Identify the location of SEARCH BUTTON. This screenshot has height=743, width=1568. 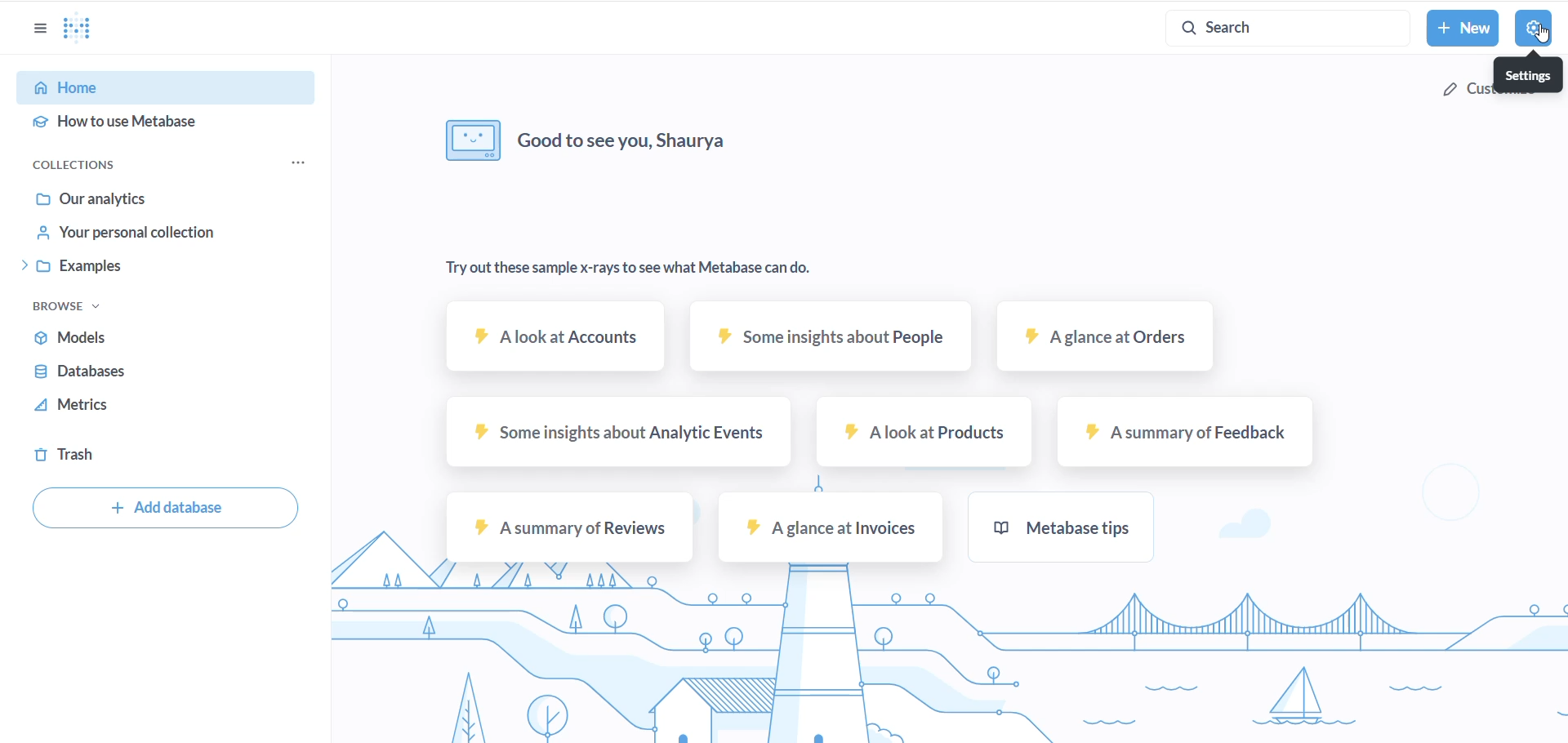
(1281, 27).